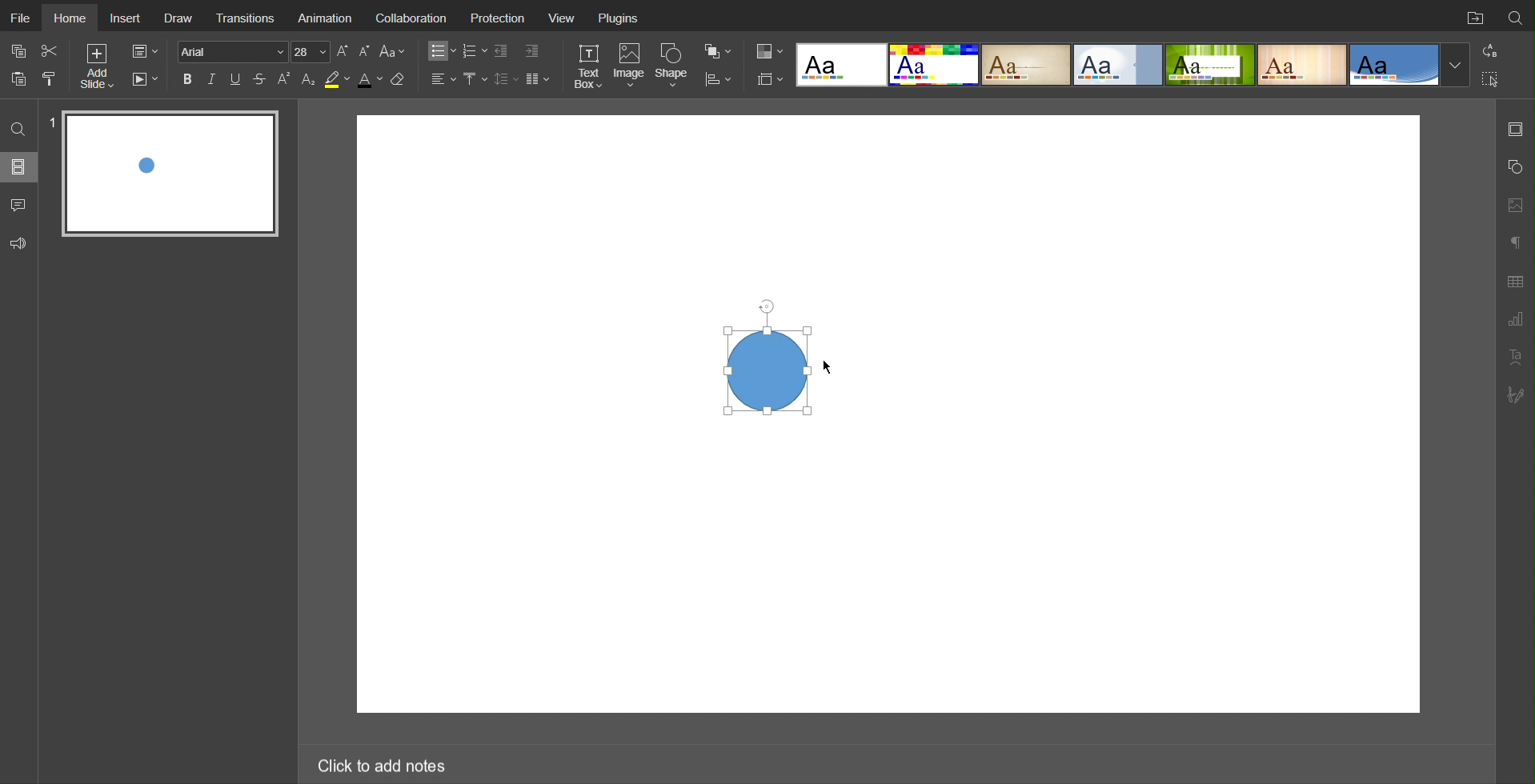 Image resolution: width=1535 pixels, height=784 pixels. Describe the element at coordinates (442, 78) in the screenshot. I see `Alignment` at that location.